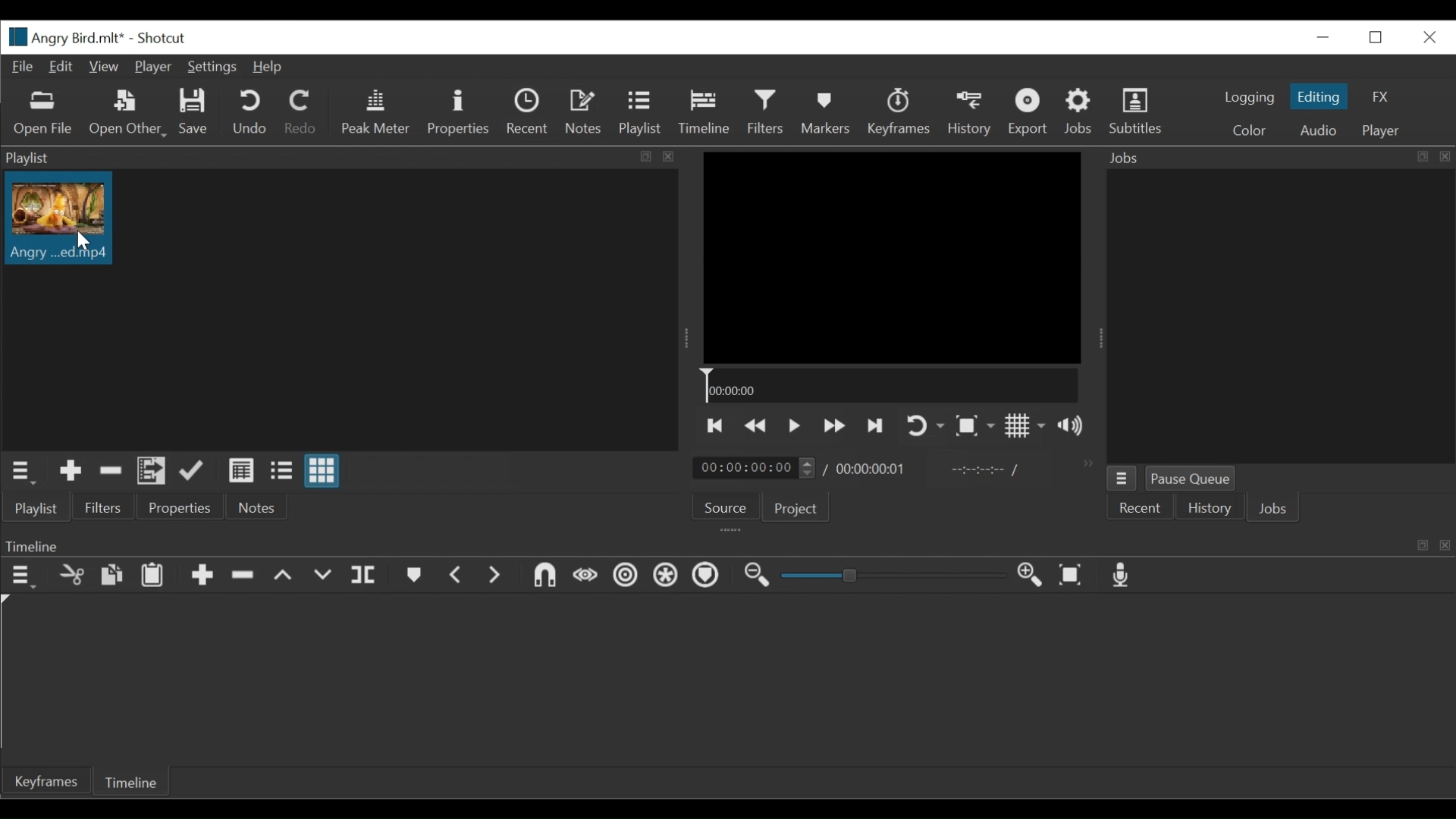  Describe the element at coordinates (896, 575) in the screenshot. I see `Zoom slider` at that location.